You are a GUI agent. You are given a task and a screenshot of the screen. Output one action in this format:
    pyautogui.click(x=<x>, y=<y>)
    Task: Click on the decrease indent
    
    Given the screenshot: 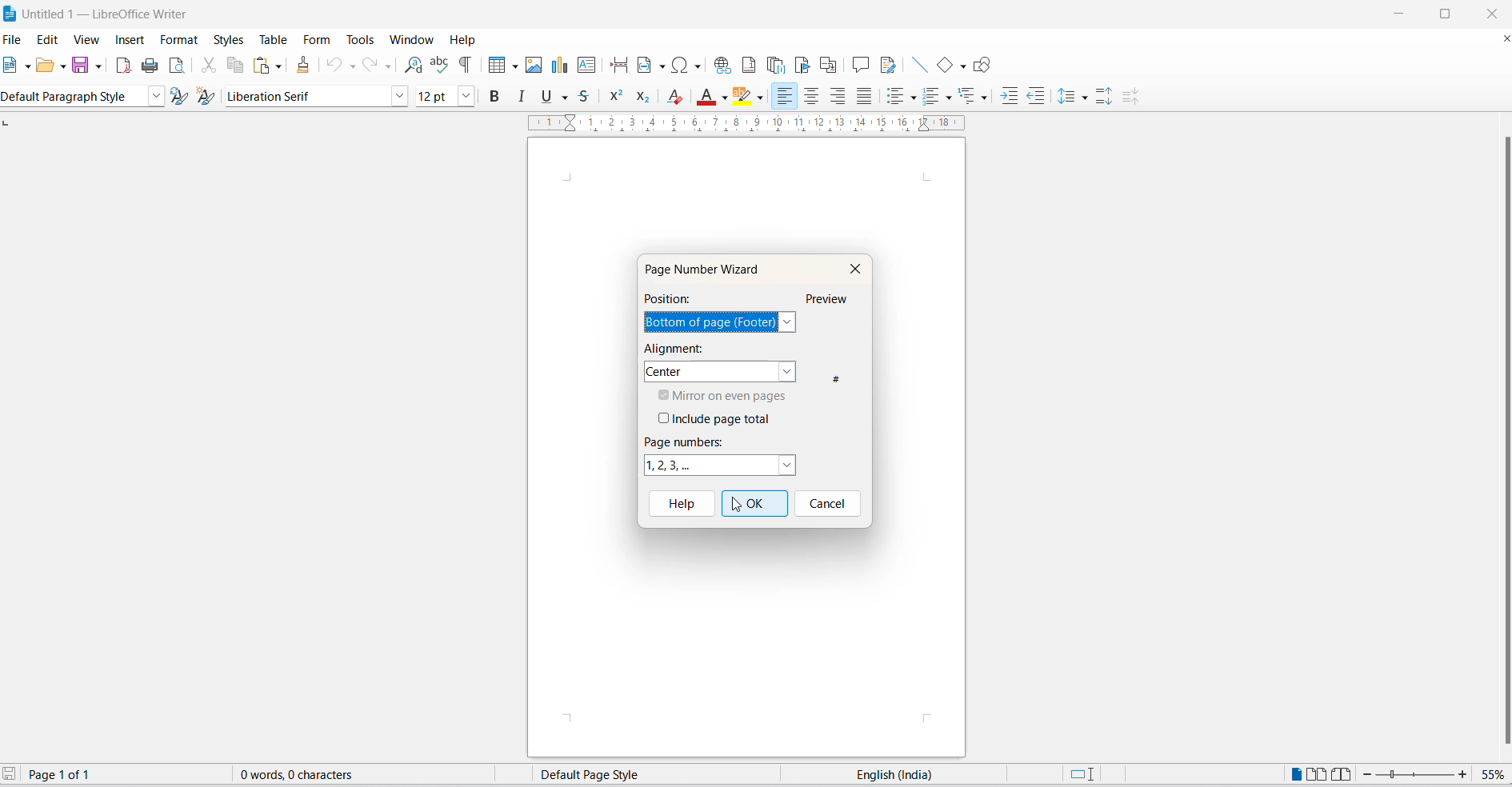 What is the action you would take?
    pyautogui.click(x=1035, y=97)
    